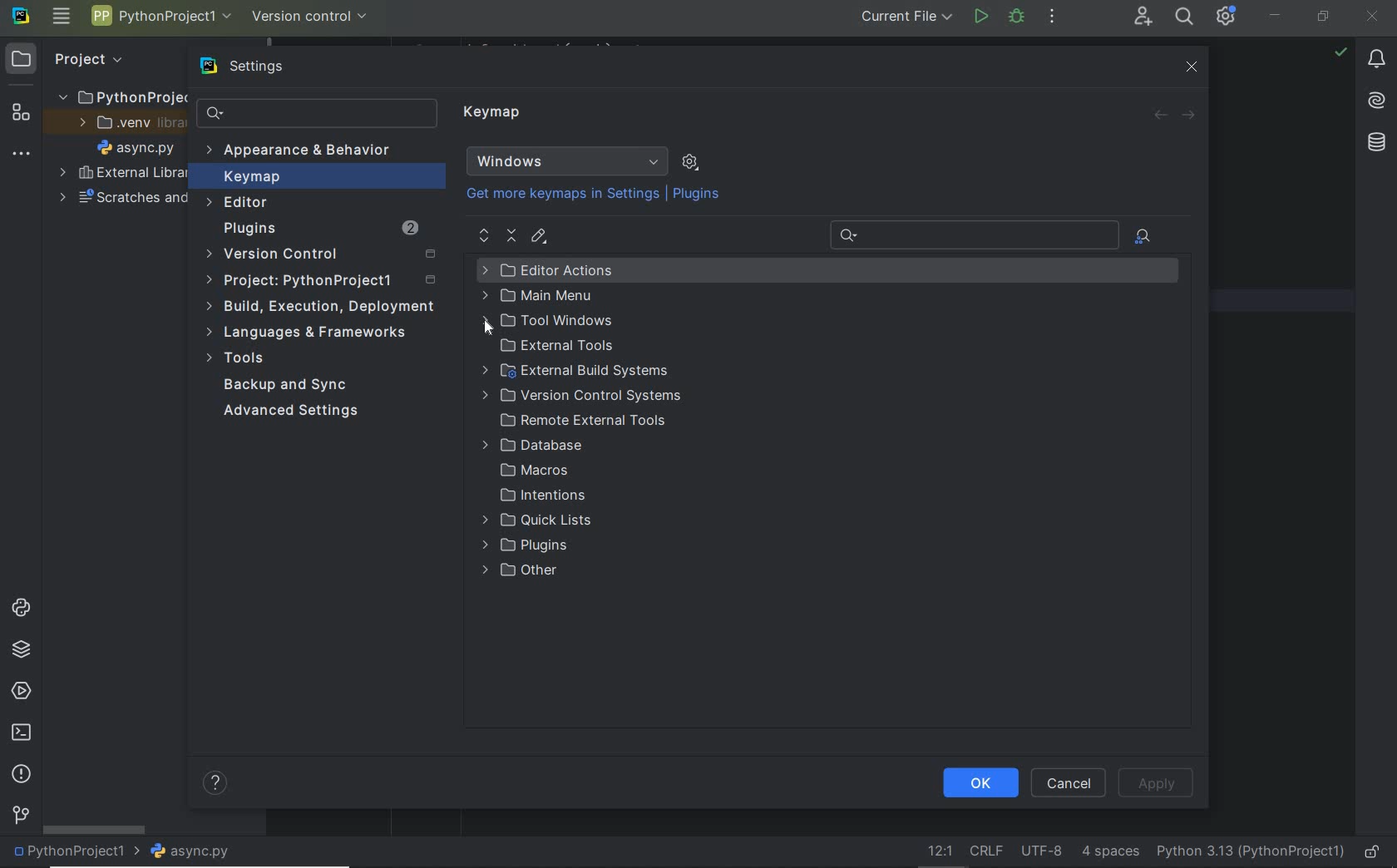 This screenshot has height=868, width=1397. I want to click on Backup and Sync, so click(287, 386).